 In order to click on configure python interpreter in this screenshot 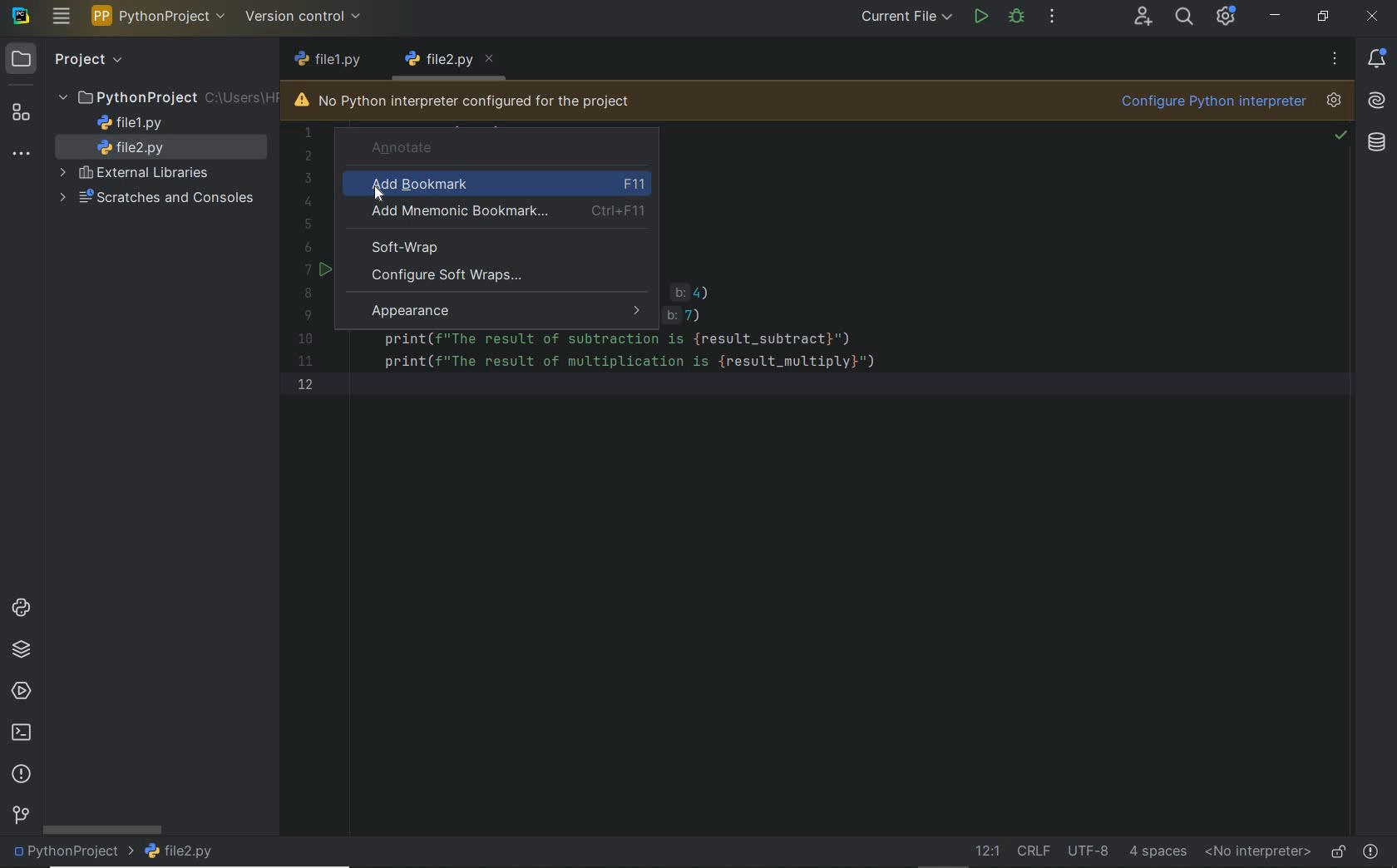, I will do `click(1230, 102)`.